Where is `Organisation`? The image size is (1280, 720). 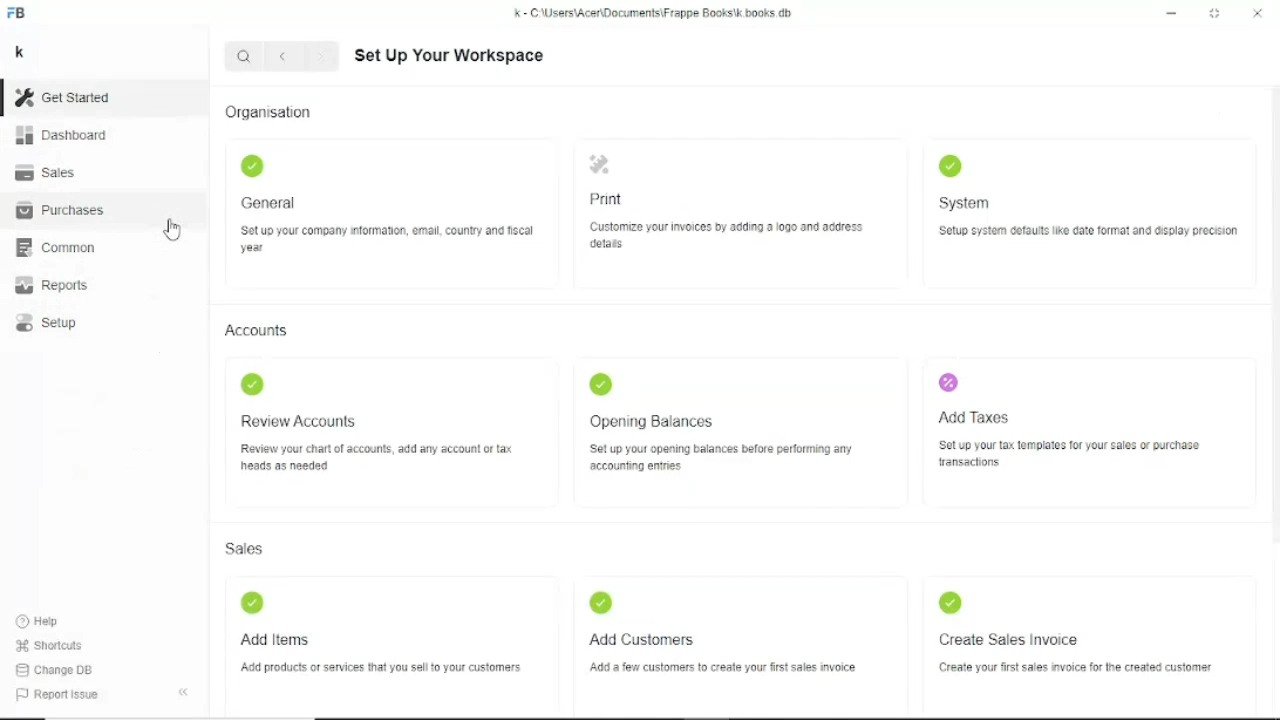
Organisation is located at coordinates (268, 112).